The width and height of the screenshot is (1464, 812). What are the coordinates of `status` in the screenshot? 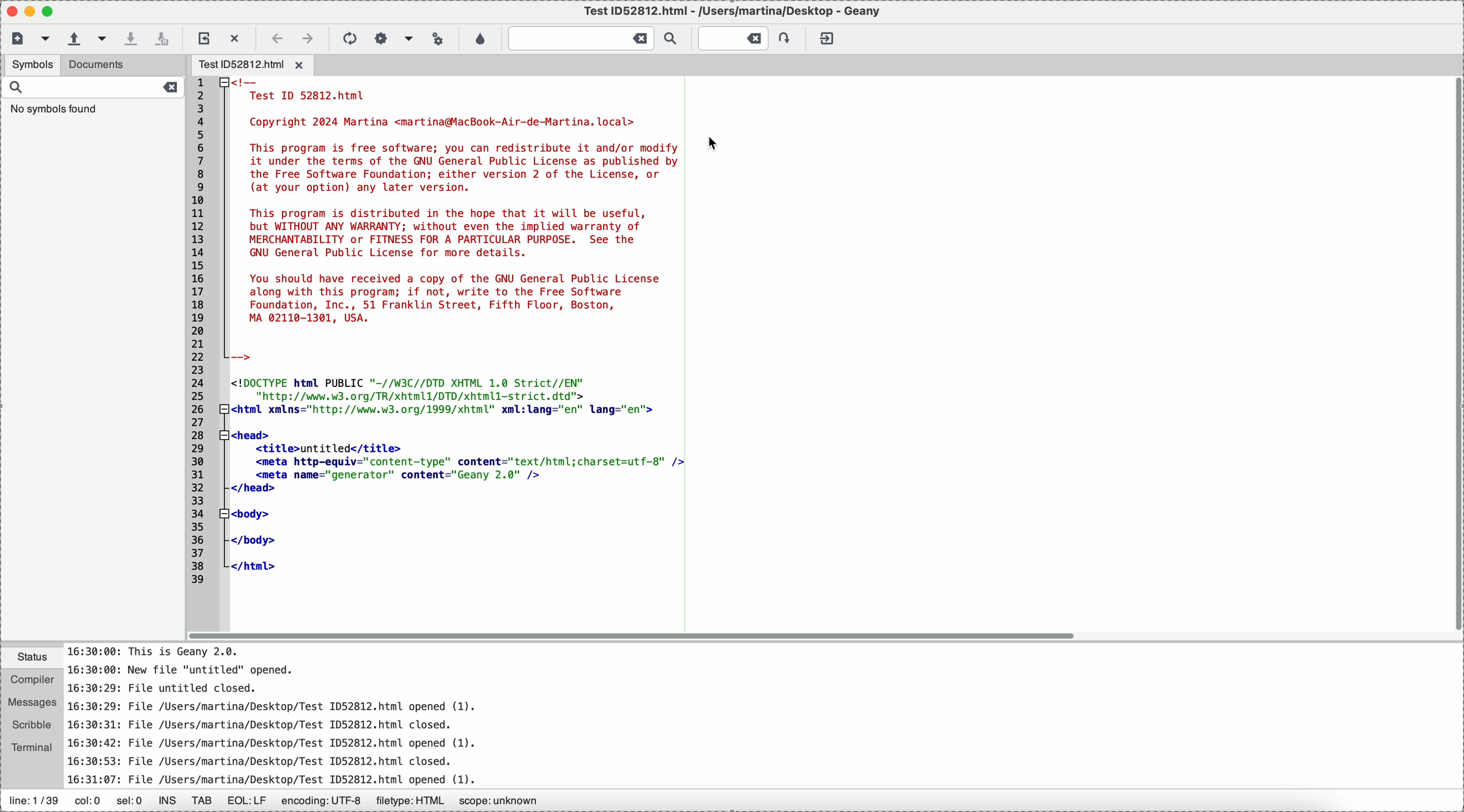 It's located at (32, 659).